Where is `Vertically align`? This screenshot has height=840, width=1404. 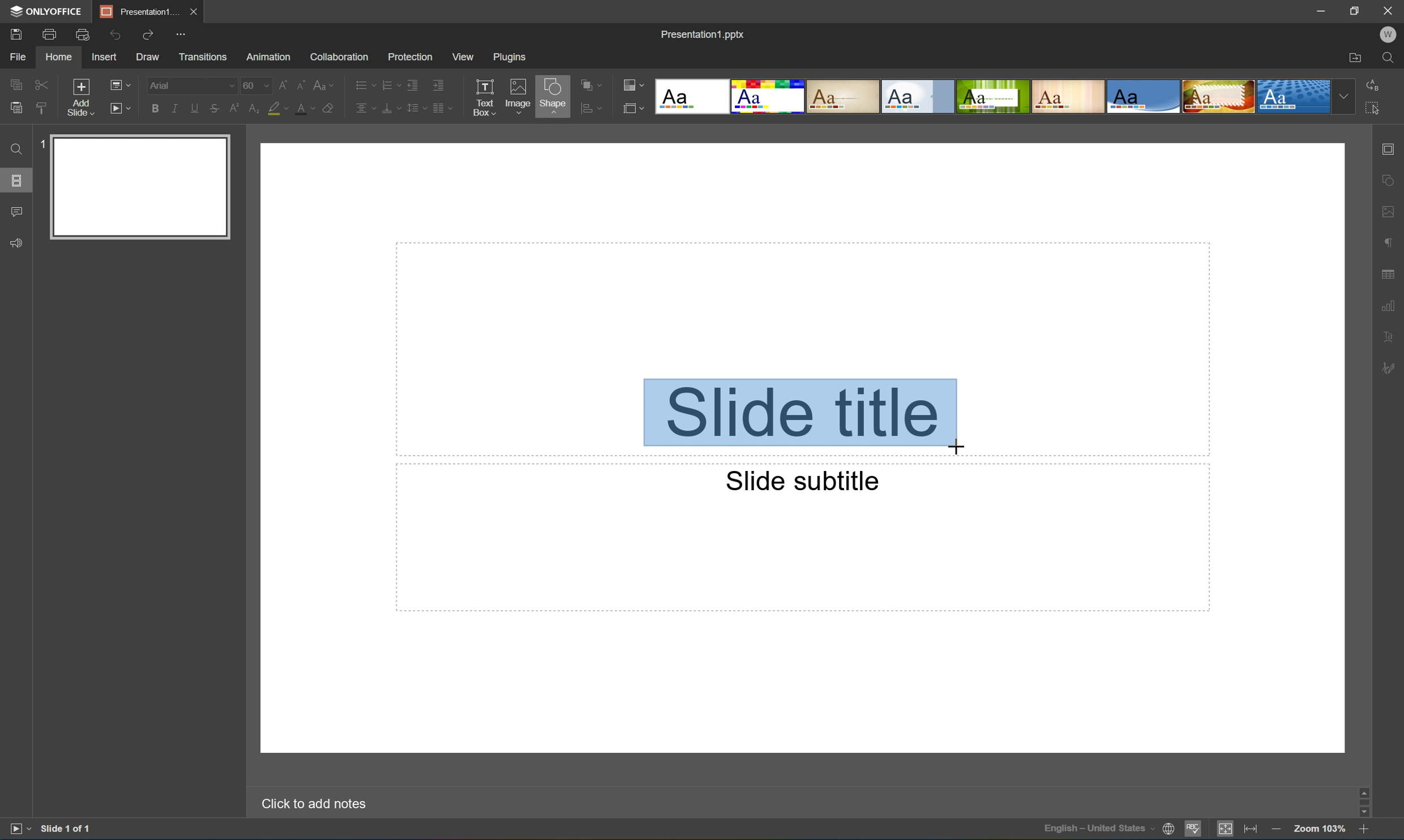
Vertically align is located at coordinates (389, 107).